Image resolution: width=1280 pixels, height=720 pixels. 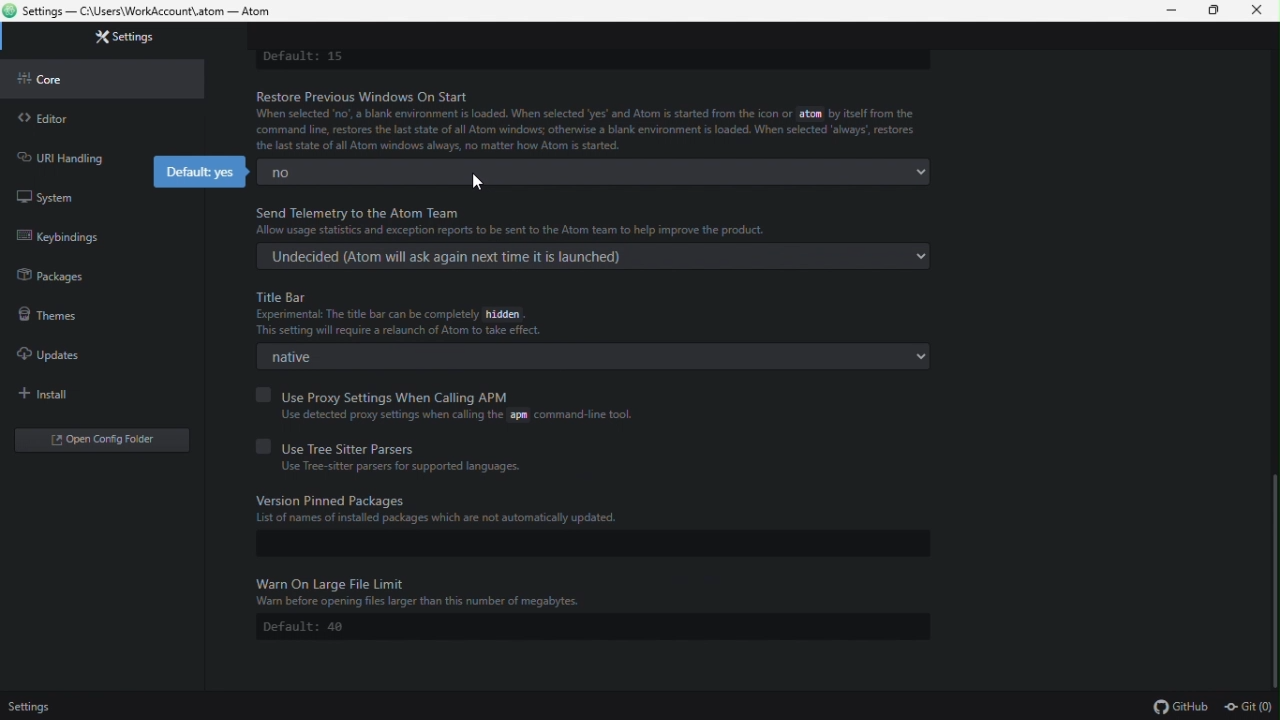 What do you see at coordinates (525, 223) in the screenshot?
I see `Send Telemetry to the Atom Team Allow usage statistics and exception reports to be sent to the Atom to help improve the product` at bounding box center [525, 223].